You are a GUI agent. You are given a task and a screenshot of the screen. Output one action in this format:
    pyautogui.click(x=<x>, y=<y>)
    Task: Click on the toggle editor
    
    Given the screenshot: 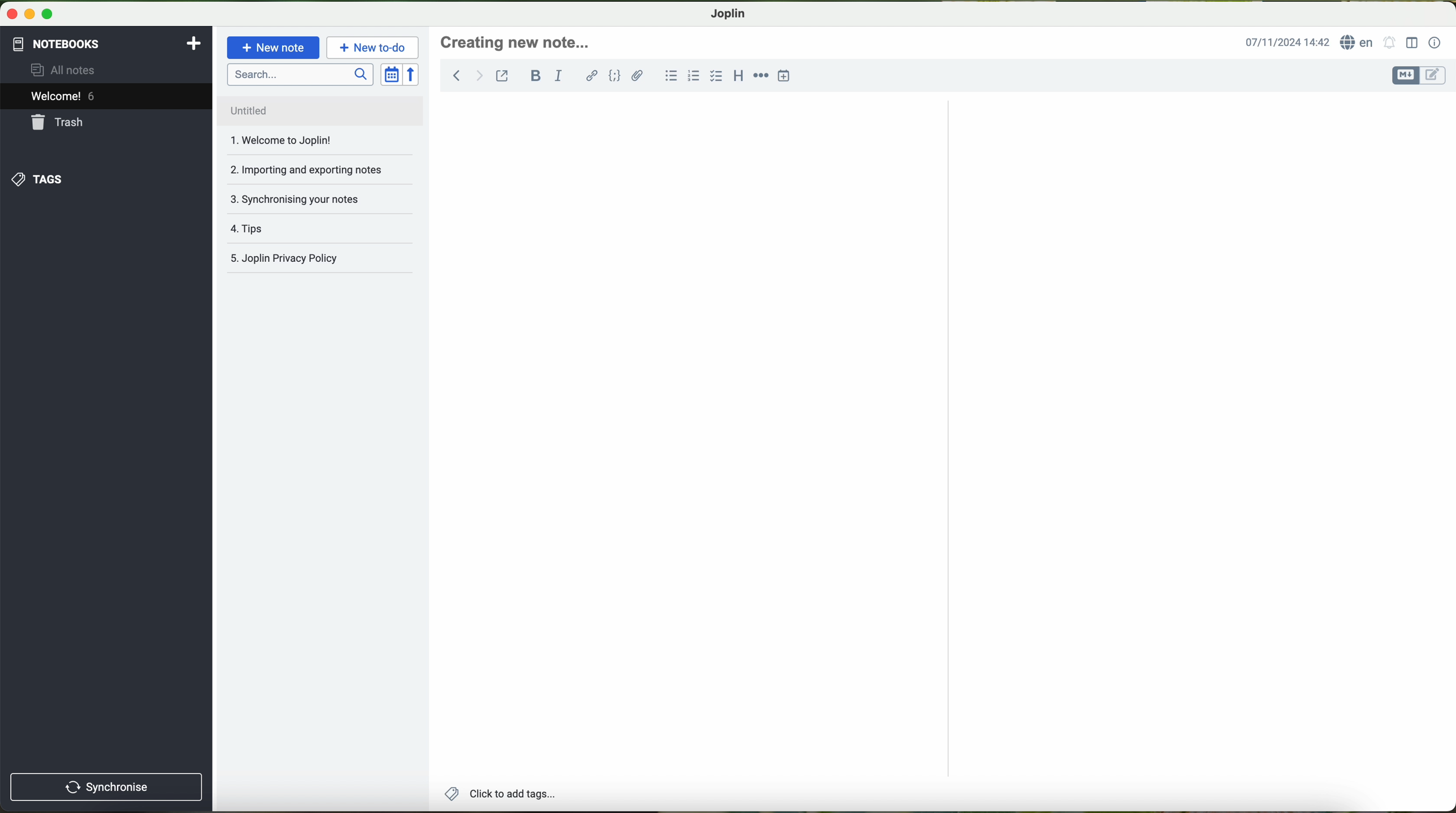 What is the action you would take?
    pyautogui.click(x=1419, y=75)
    